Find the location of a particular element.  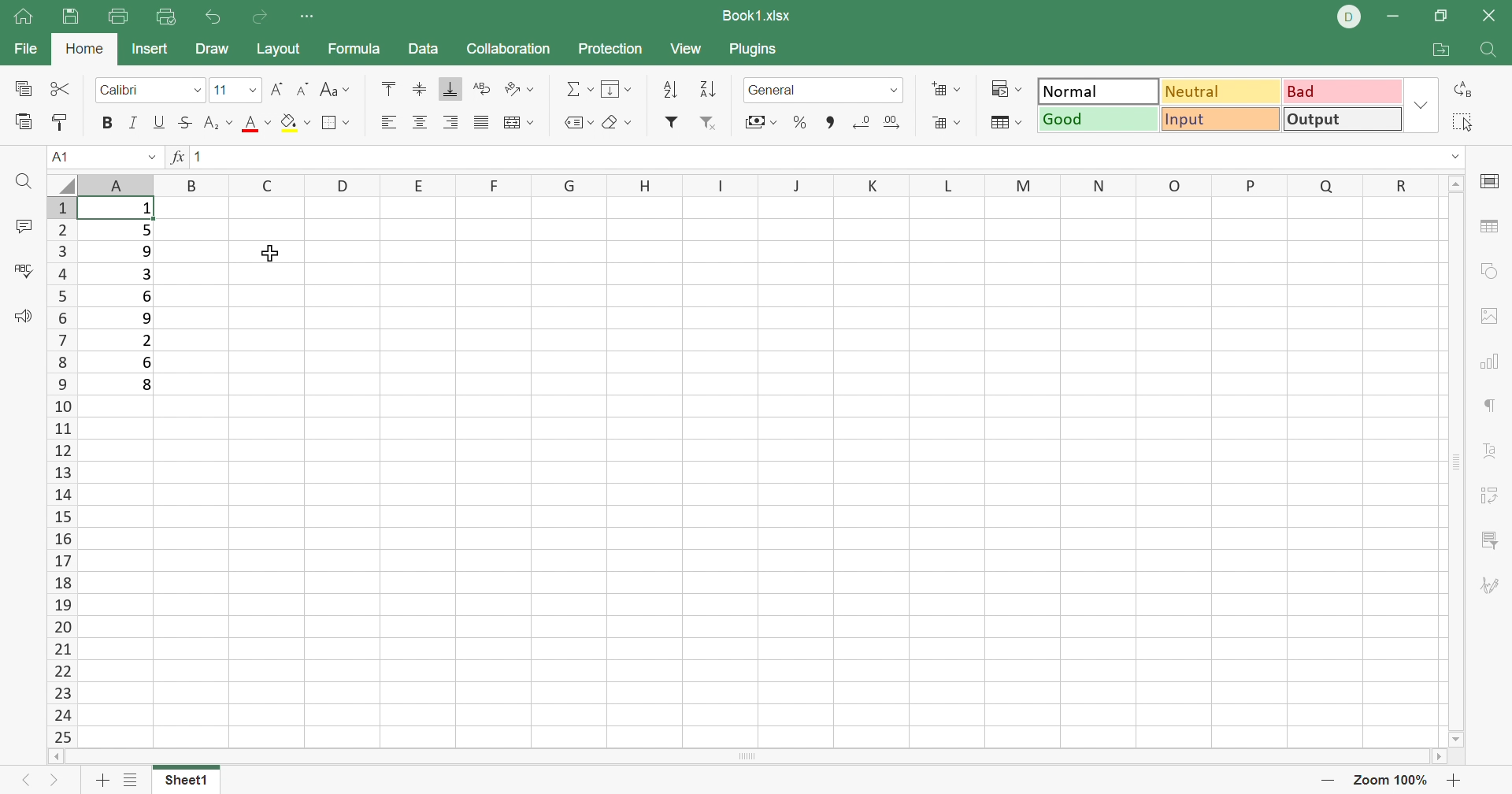

Orientation is located at coordinates (517, 91).